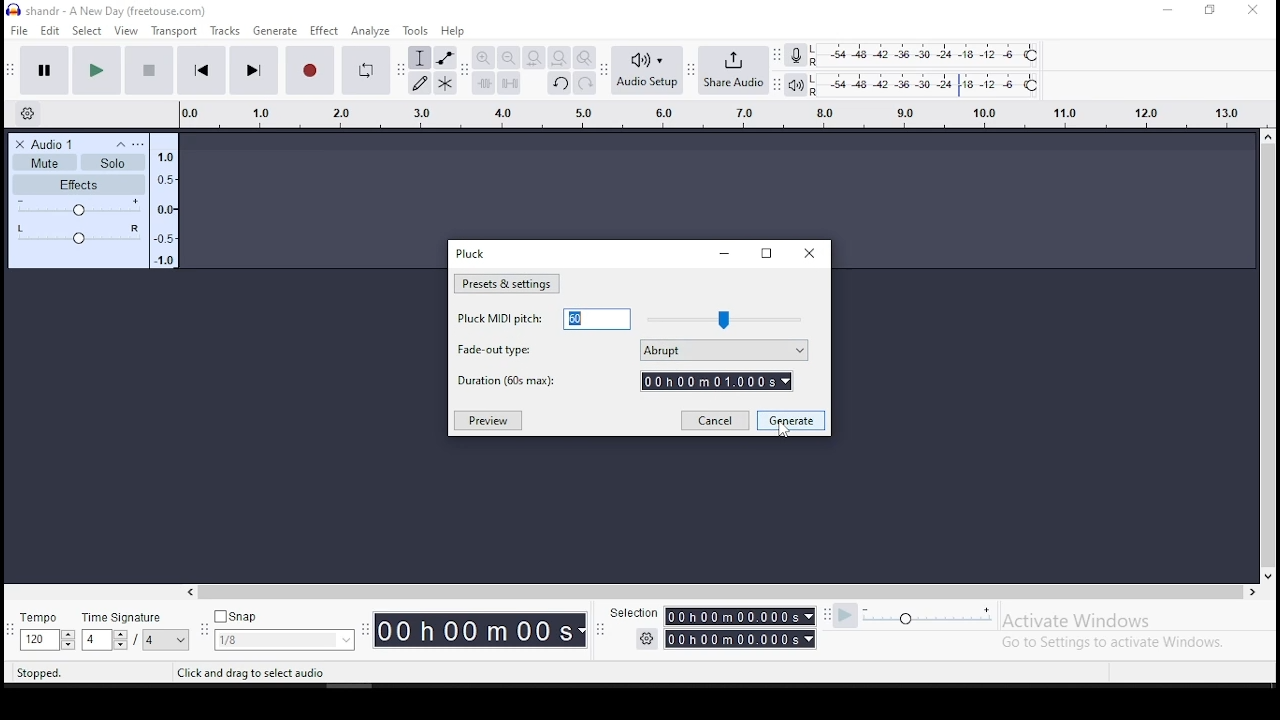 The image size is (1280, 720). Describe the element at coordinates (78, 207) in the screenshot. I see `volume` at that location.